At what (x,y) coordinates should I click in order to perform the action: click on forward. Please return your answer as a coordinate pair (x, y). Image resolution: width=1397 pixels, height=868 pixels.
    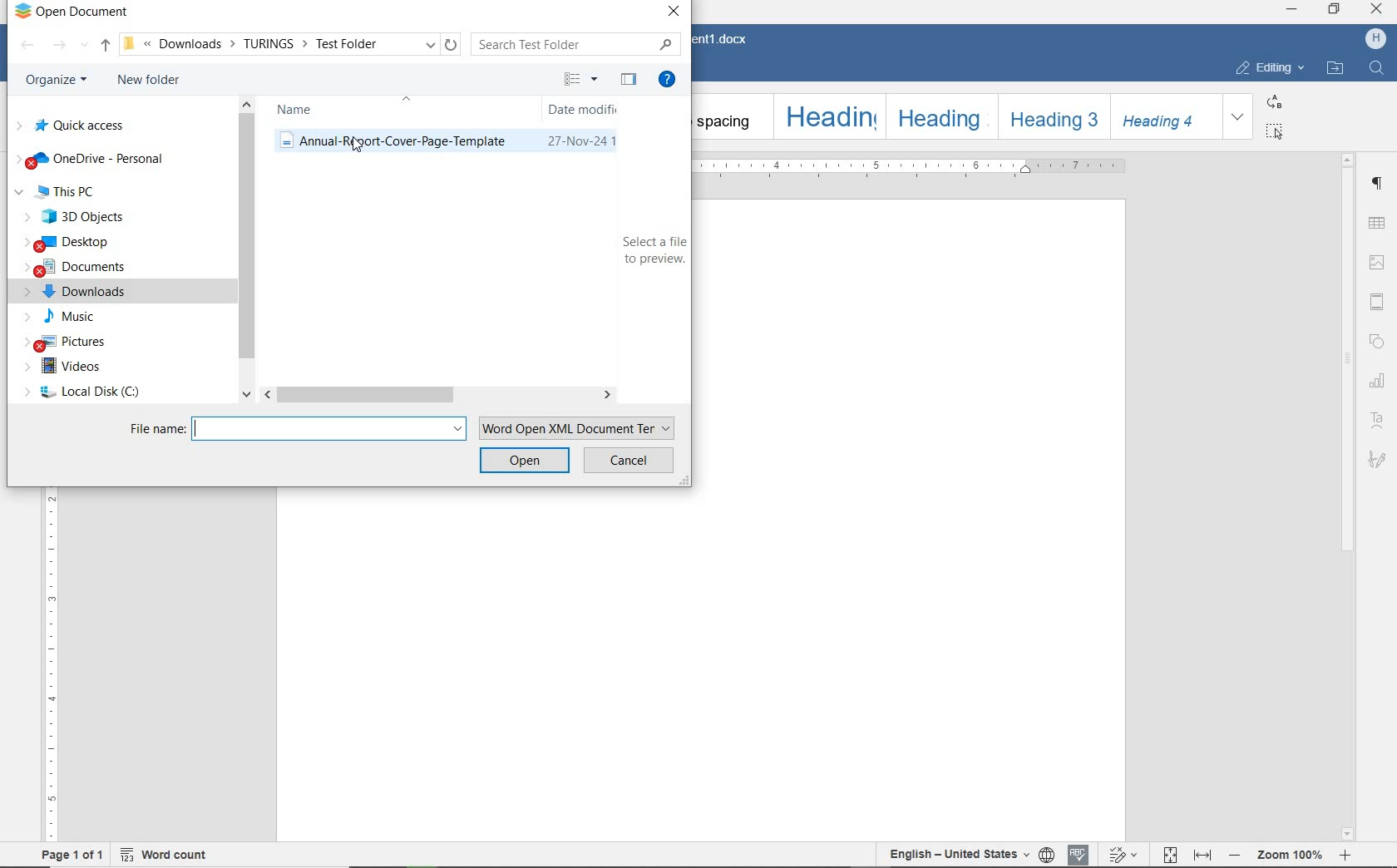
    Looking at the image, I should click on (62, 46).